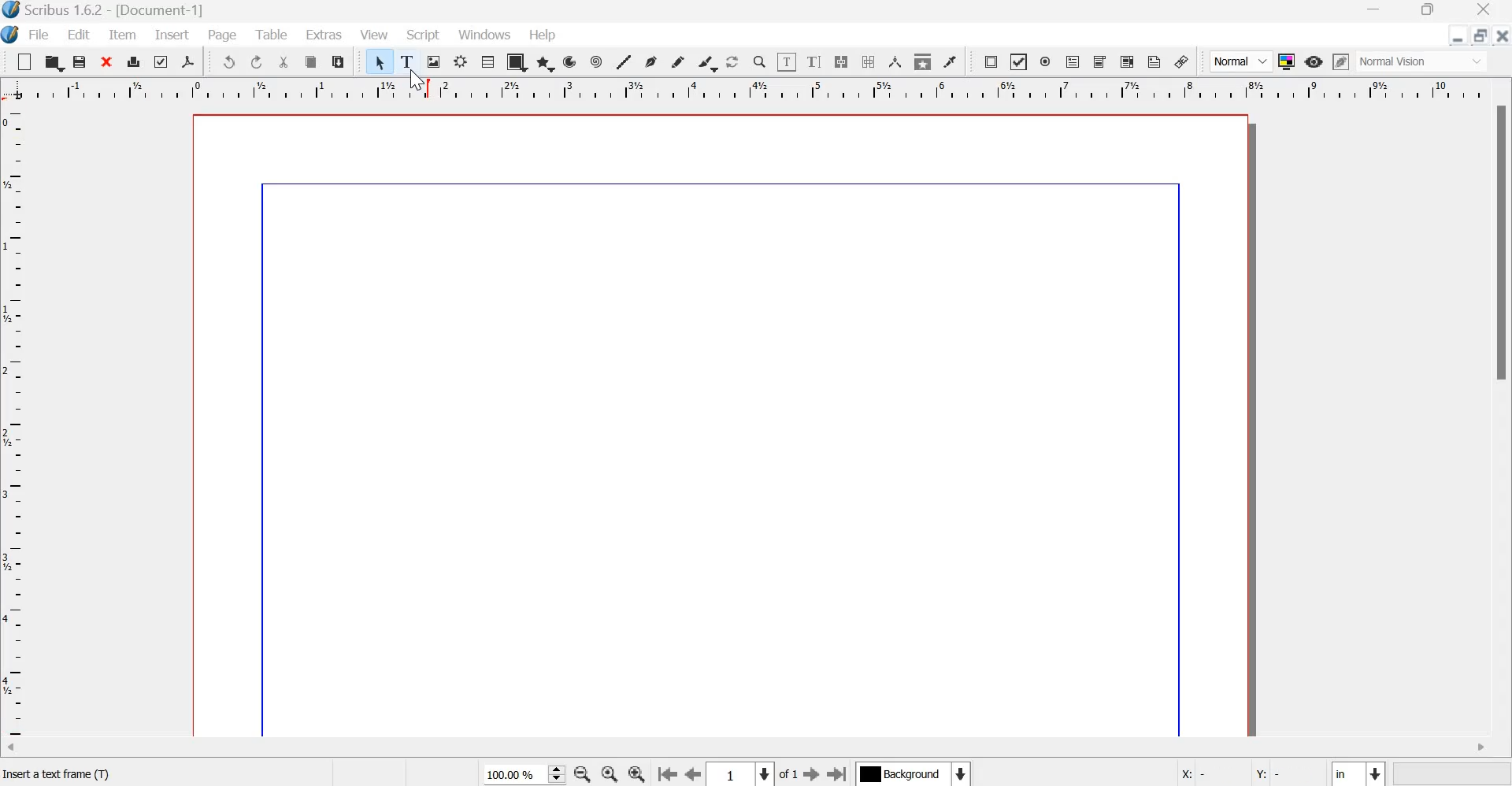  Describe the element at coordinates (461, 61) in the screenshot. I see `render frame` at that location.